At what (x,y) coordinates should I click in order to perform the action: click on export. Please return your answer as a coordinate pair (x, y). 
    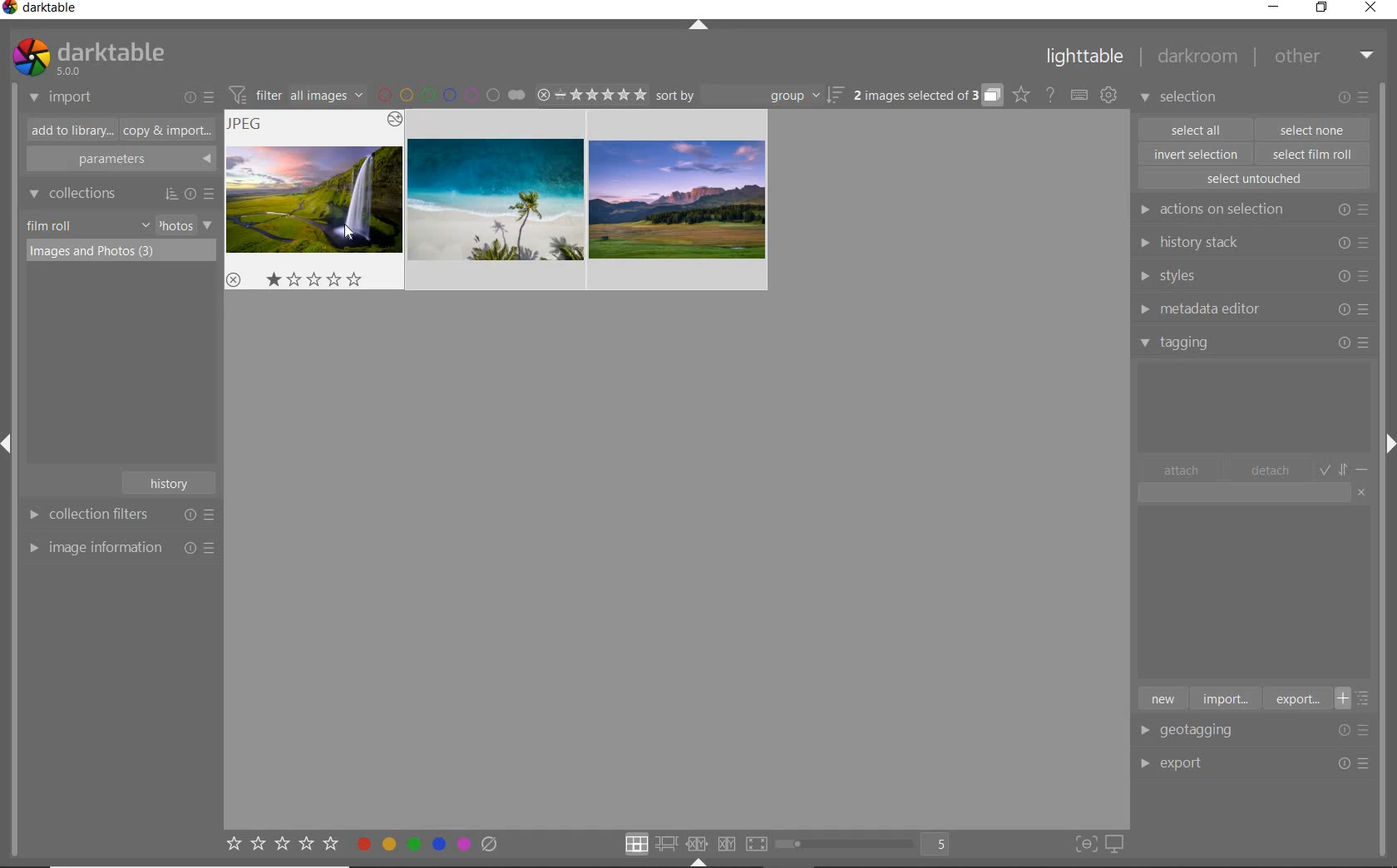
    Looking at the image, I should click on (1201, 762).